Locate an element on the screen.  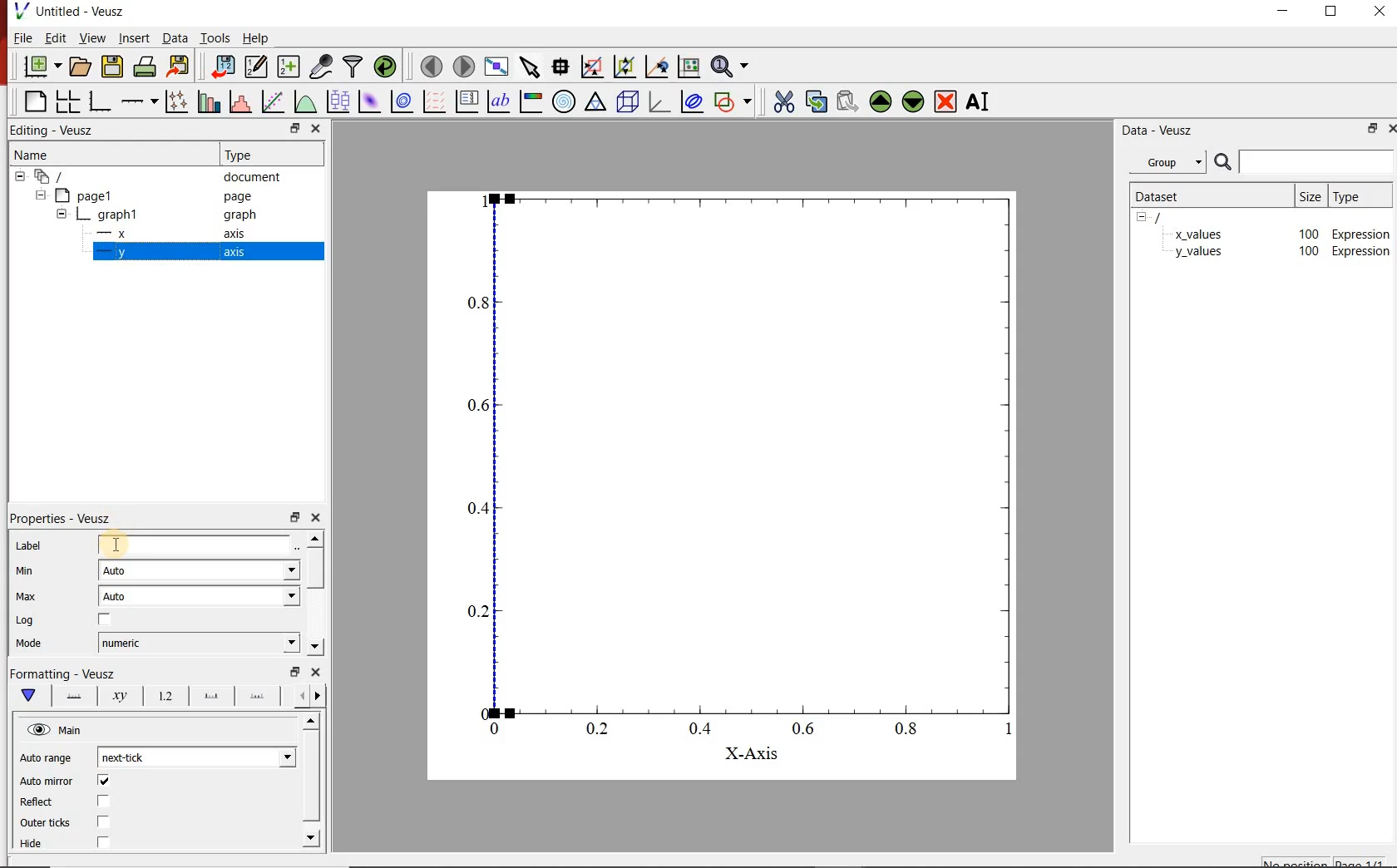
next tick is located at coordinates (197, 757).